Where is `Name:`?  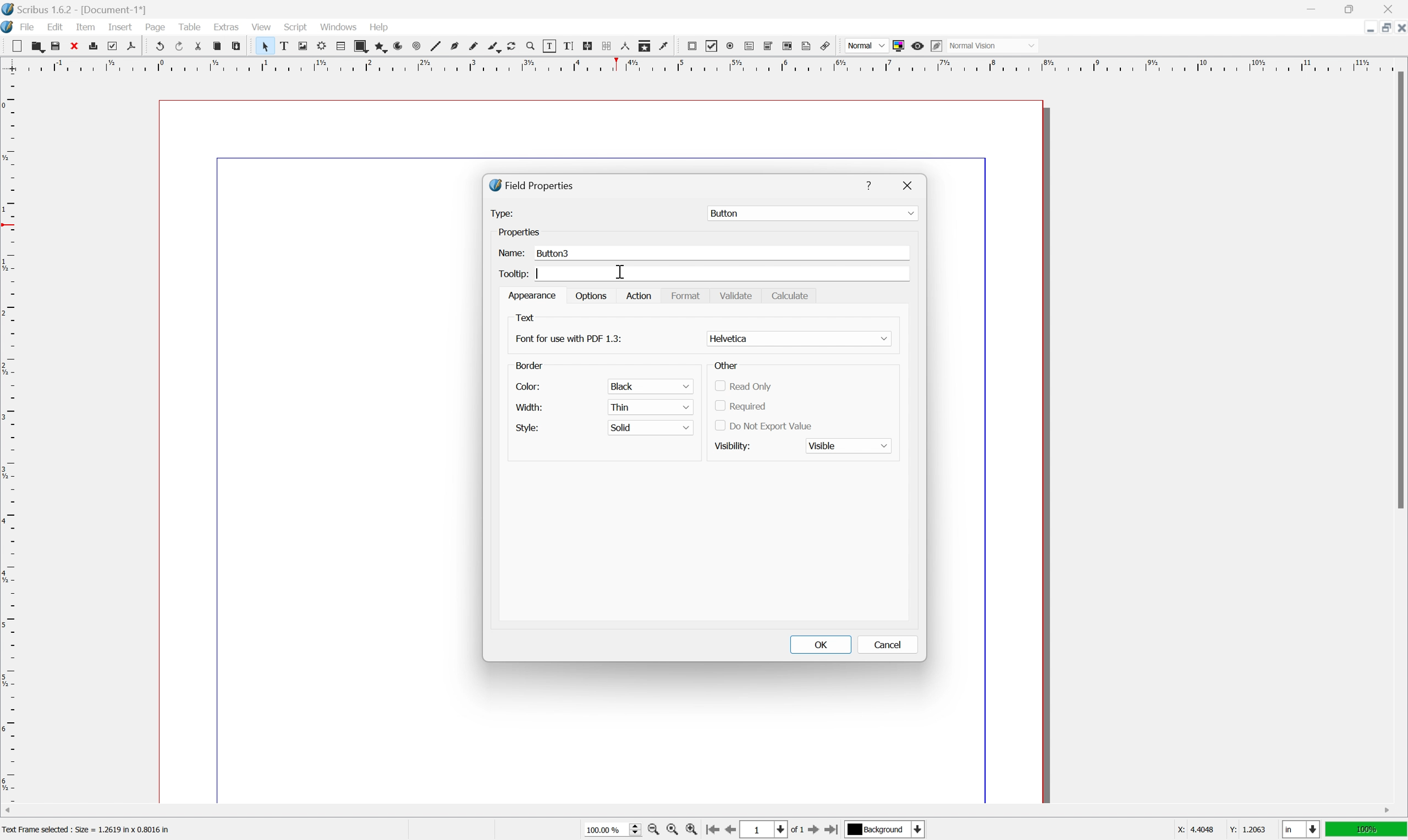 Name: is located at coordinates (512, 251).